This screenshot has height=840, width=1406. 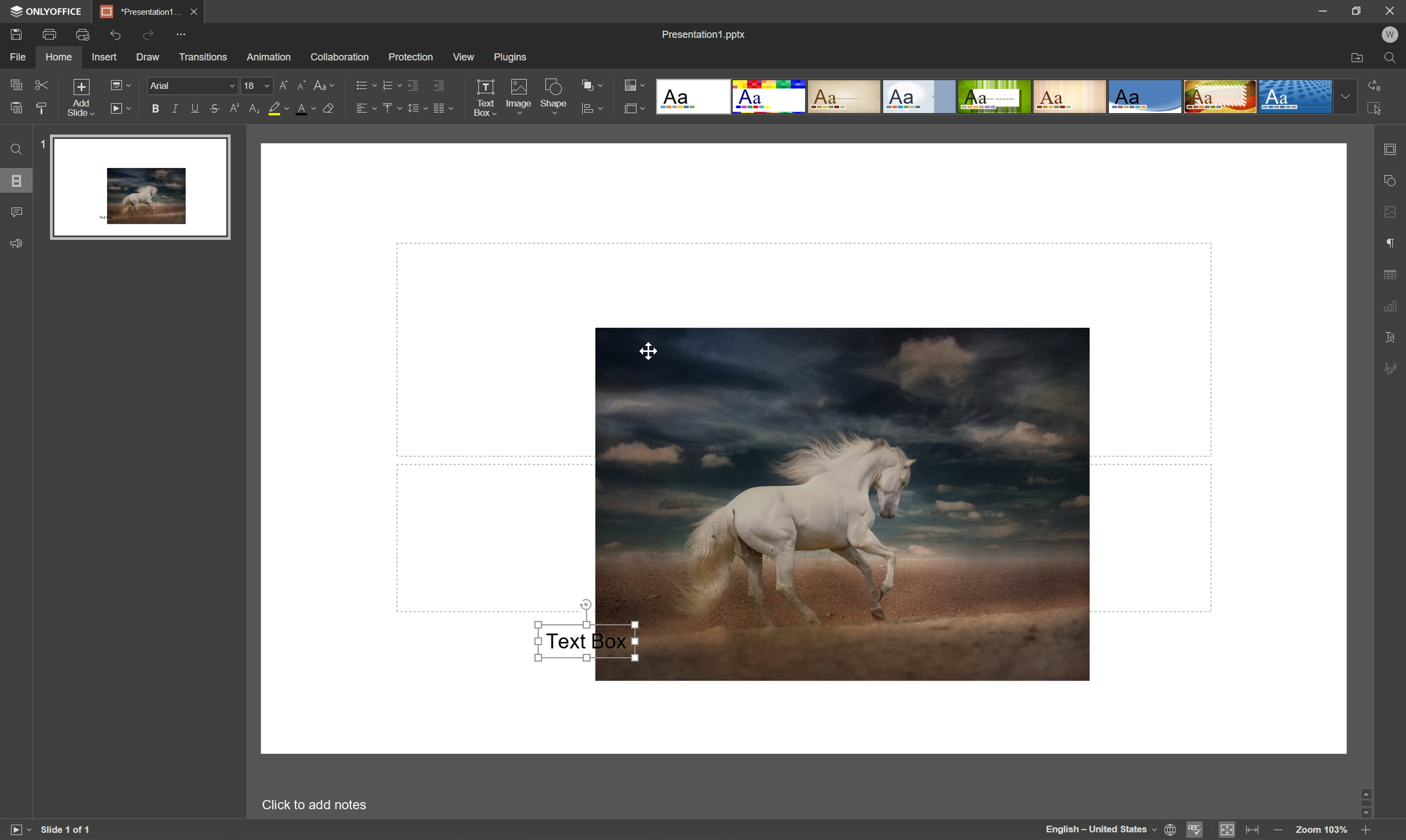 What do you see at coordinates (772, 96) in the screenshot?
I see `Basic` at bounding box center [772, 96].